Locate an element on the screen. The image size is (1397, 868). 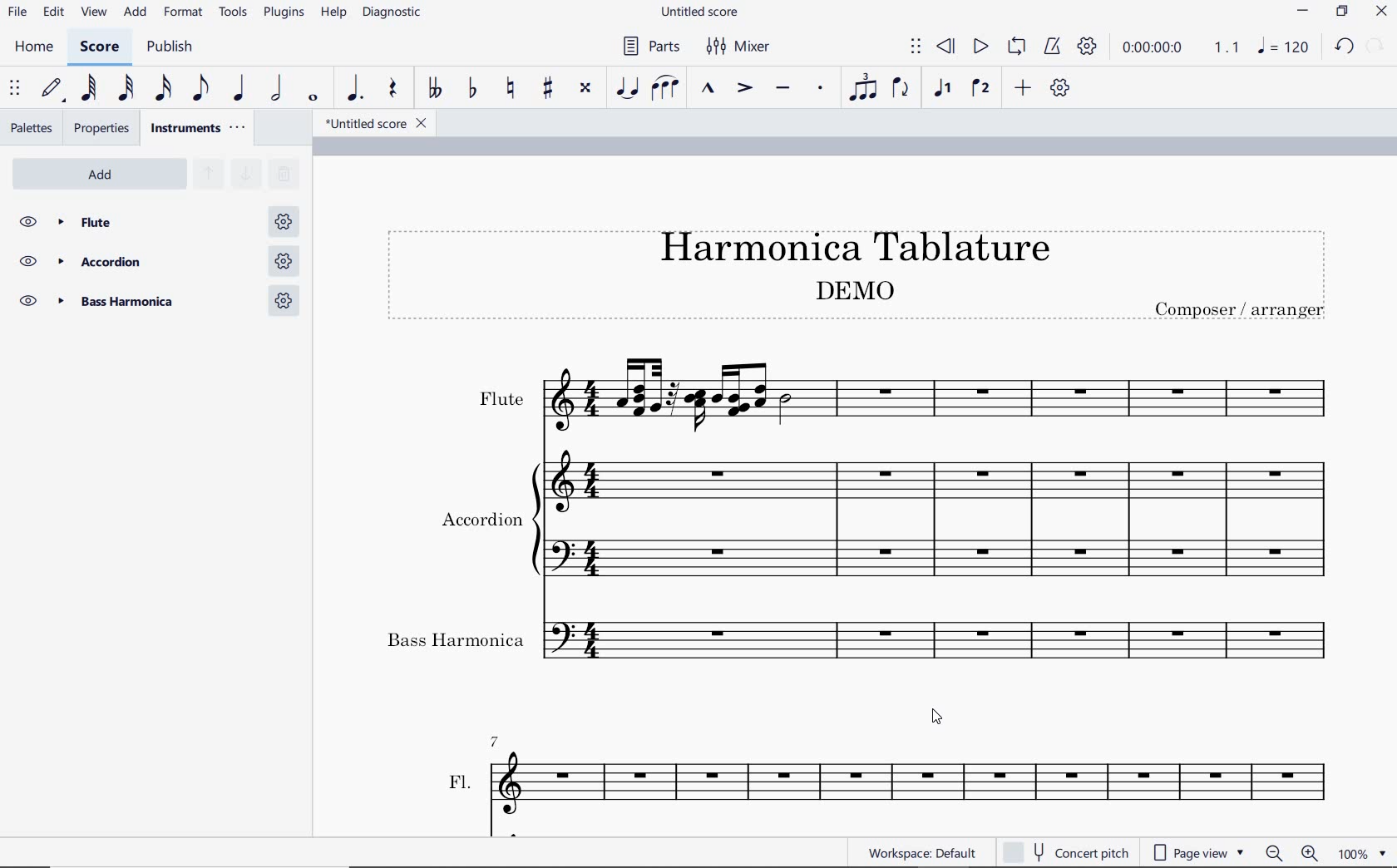
workspace: default is located at coordinates (920, 852).